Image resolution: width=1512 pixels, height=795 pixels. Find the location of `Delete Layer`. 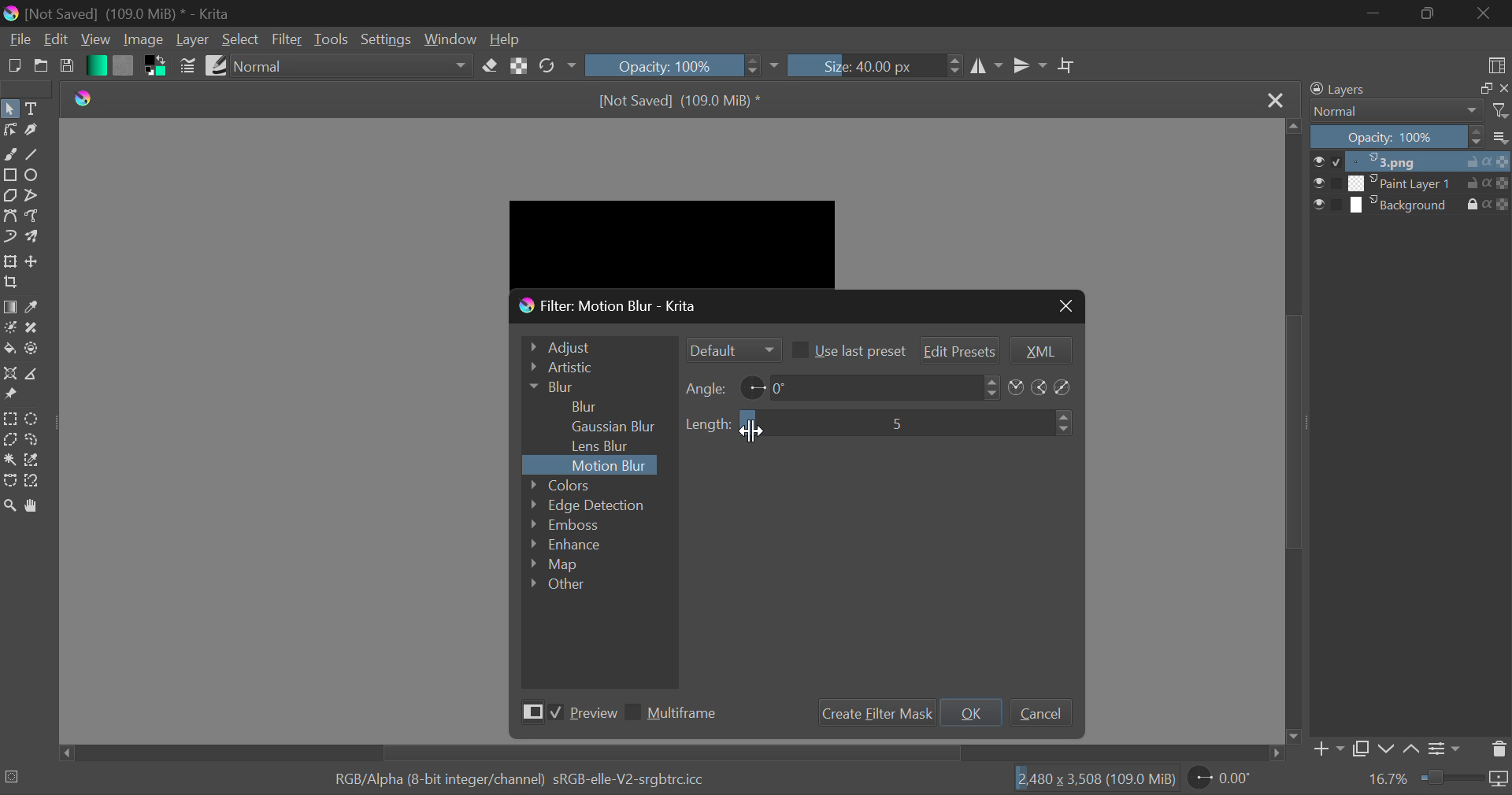

Delete Layer is located at coordinates (1498, 749).